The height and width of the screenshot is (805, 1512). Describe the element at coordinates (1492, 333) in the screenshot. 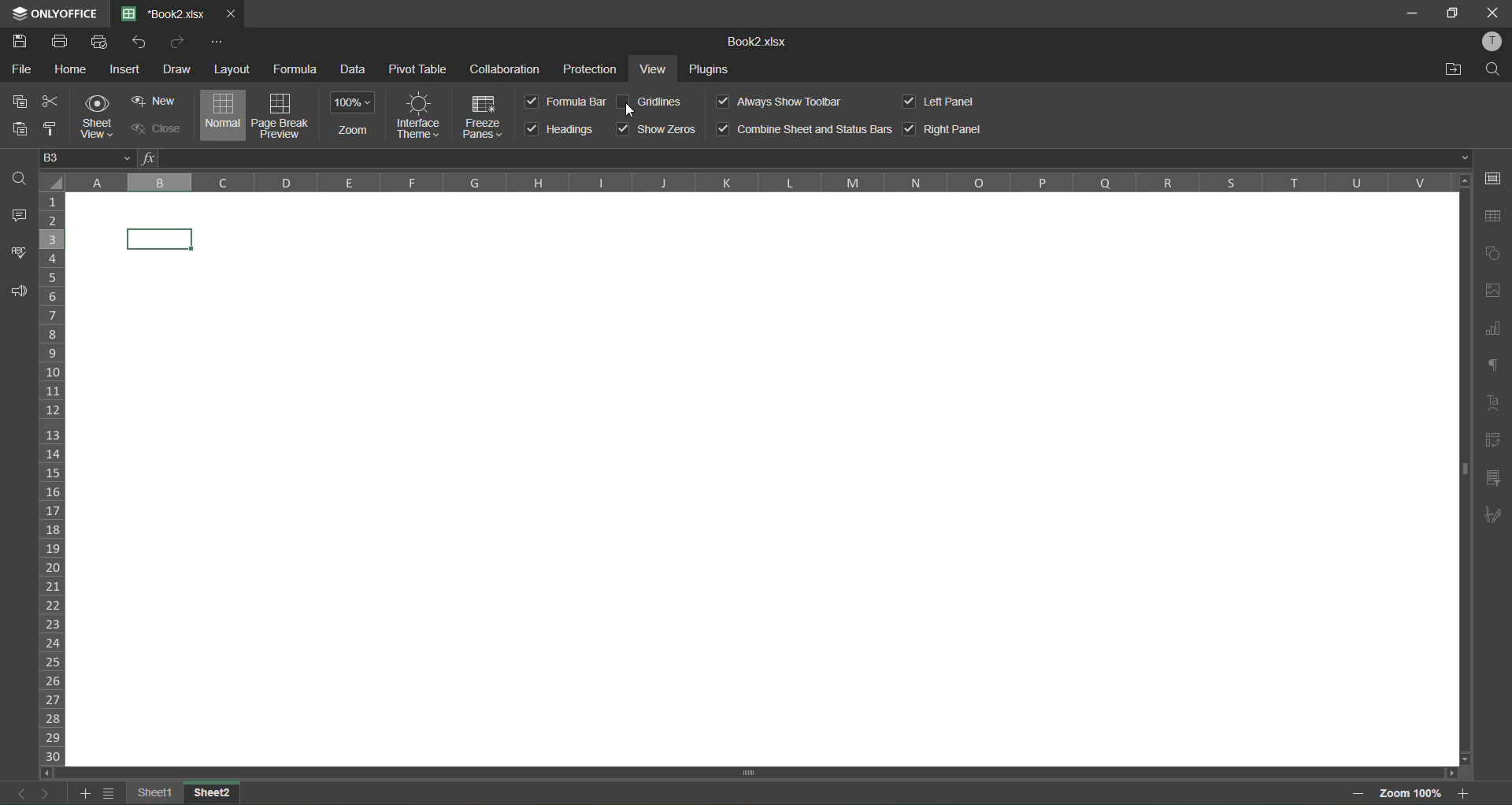

I see `charts` at that location.